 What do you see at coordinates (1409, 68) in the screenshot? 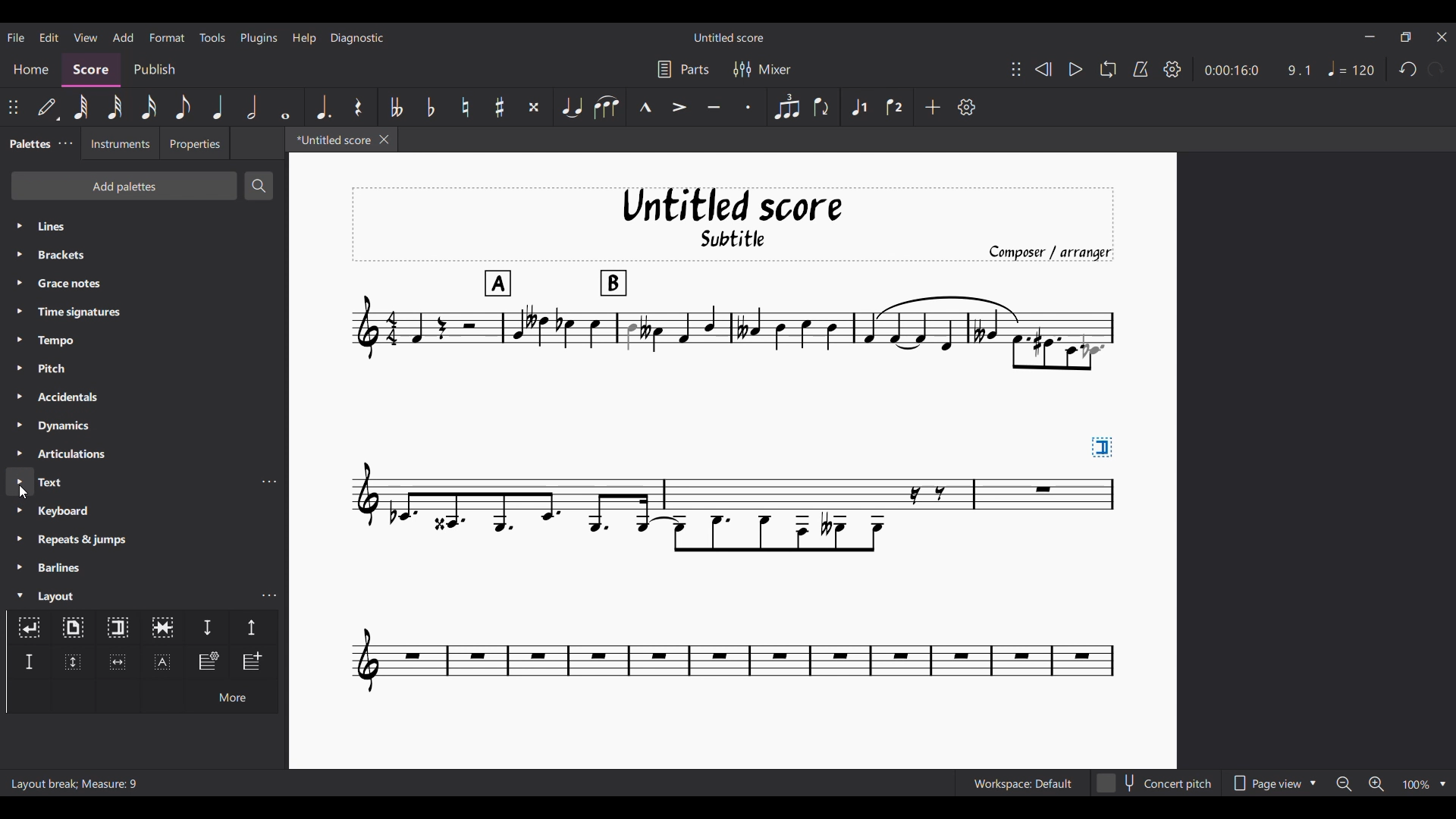
I see `Undo` at bounding box center [1409, 68].